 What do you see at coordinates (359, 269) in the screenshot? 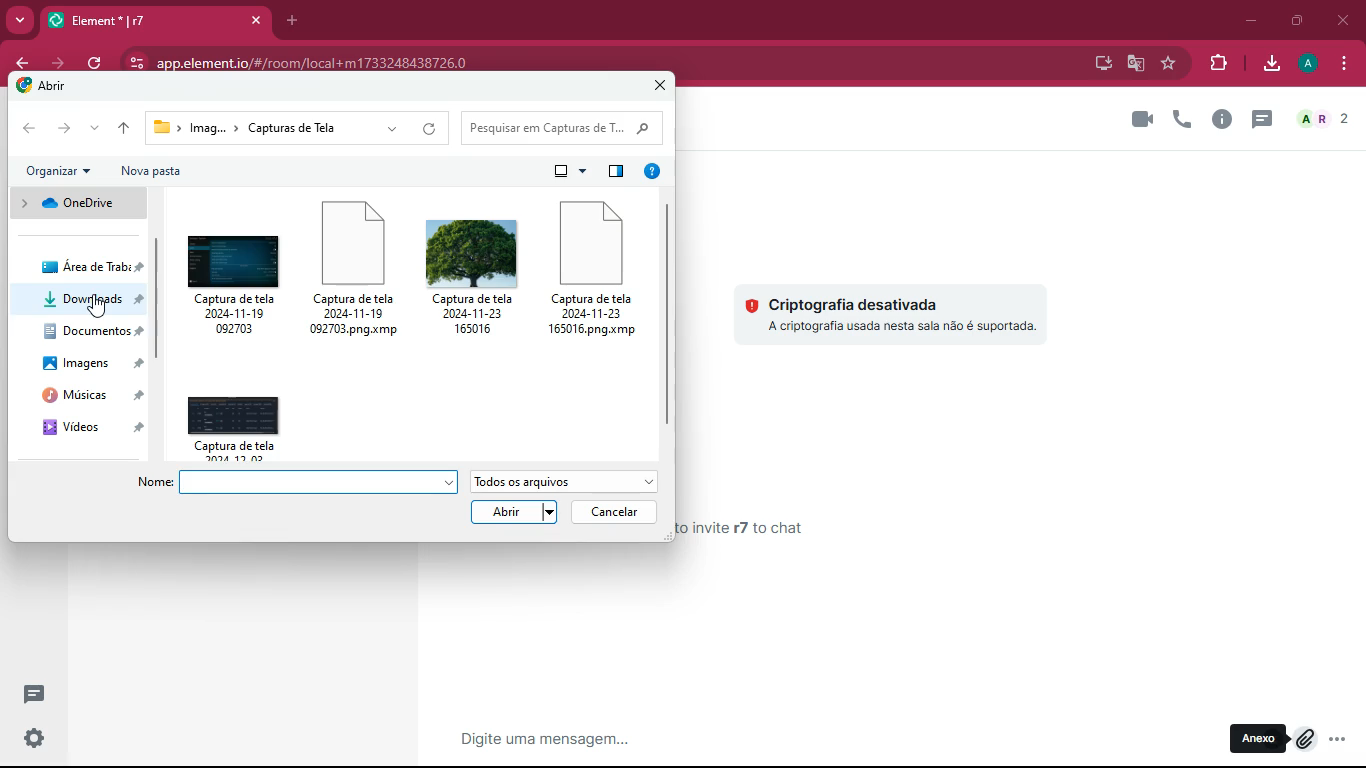
I see `captura de tela 2024-11-19 092703.png.xmp` at bounding box center [359, 269].